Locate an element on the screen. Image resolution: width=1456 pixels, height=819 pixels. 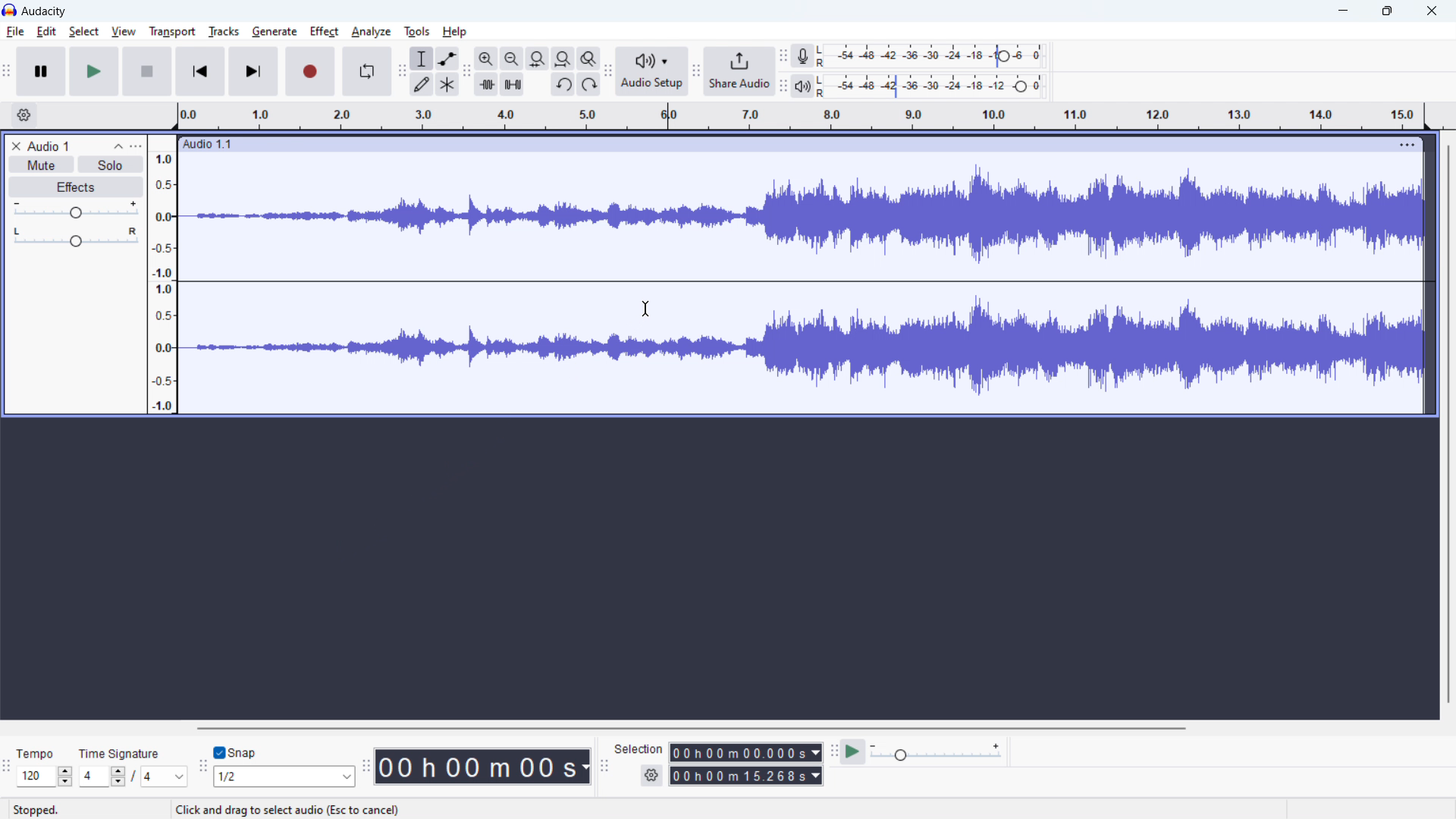
zoom out is located at coordinates (512, 58).